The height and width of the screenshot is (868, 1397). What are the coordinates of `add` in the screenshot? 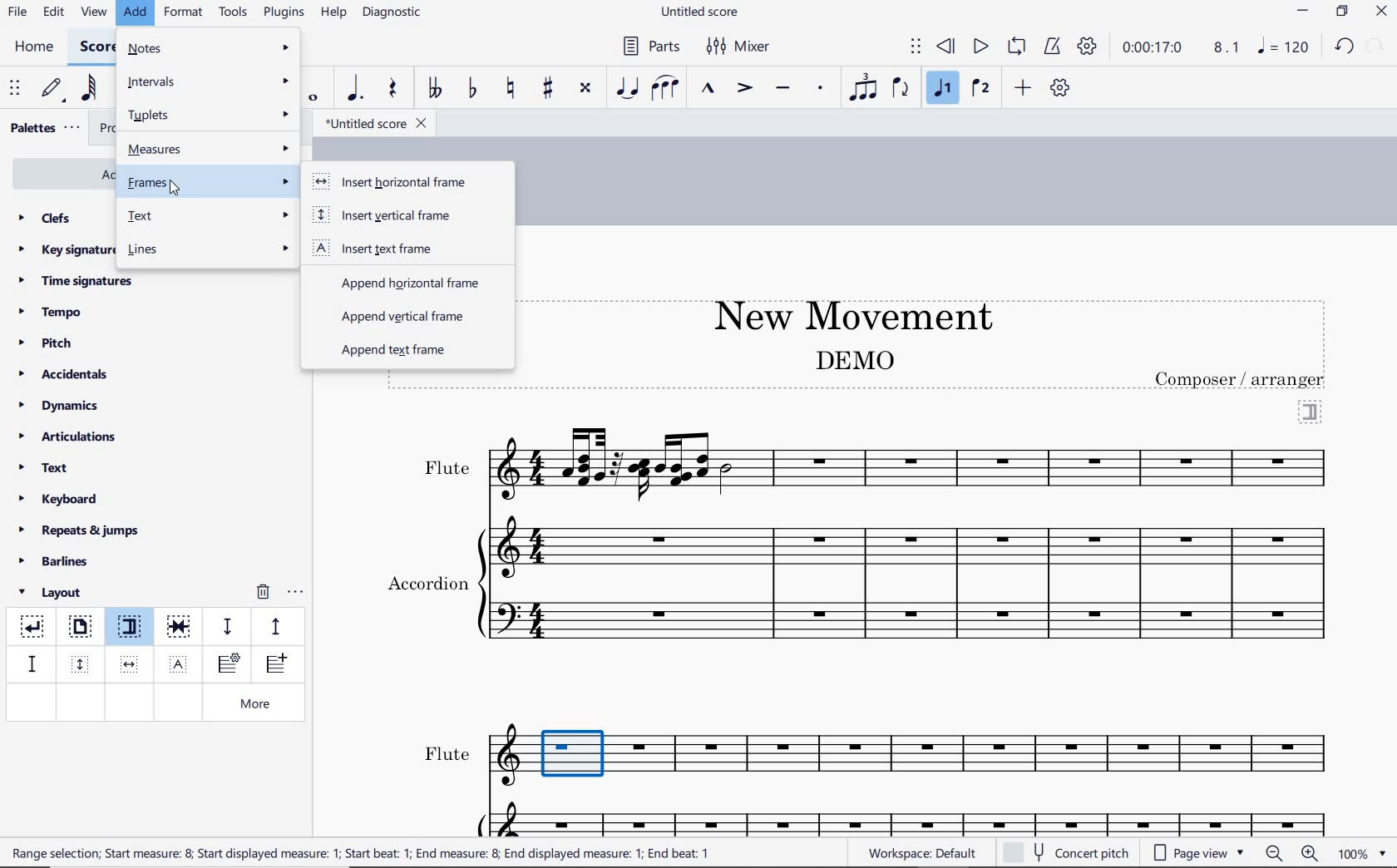 It's located at (1025, 87).